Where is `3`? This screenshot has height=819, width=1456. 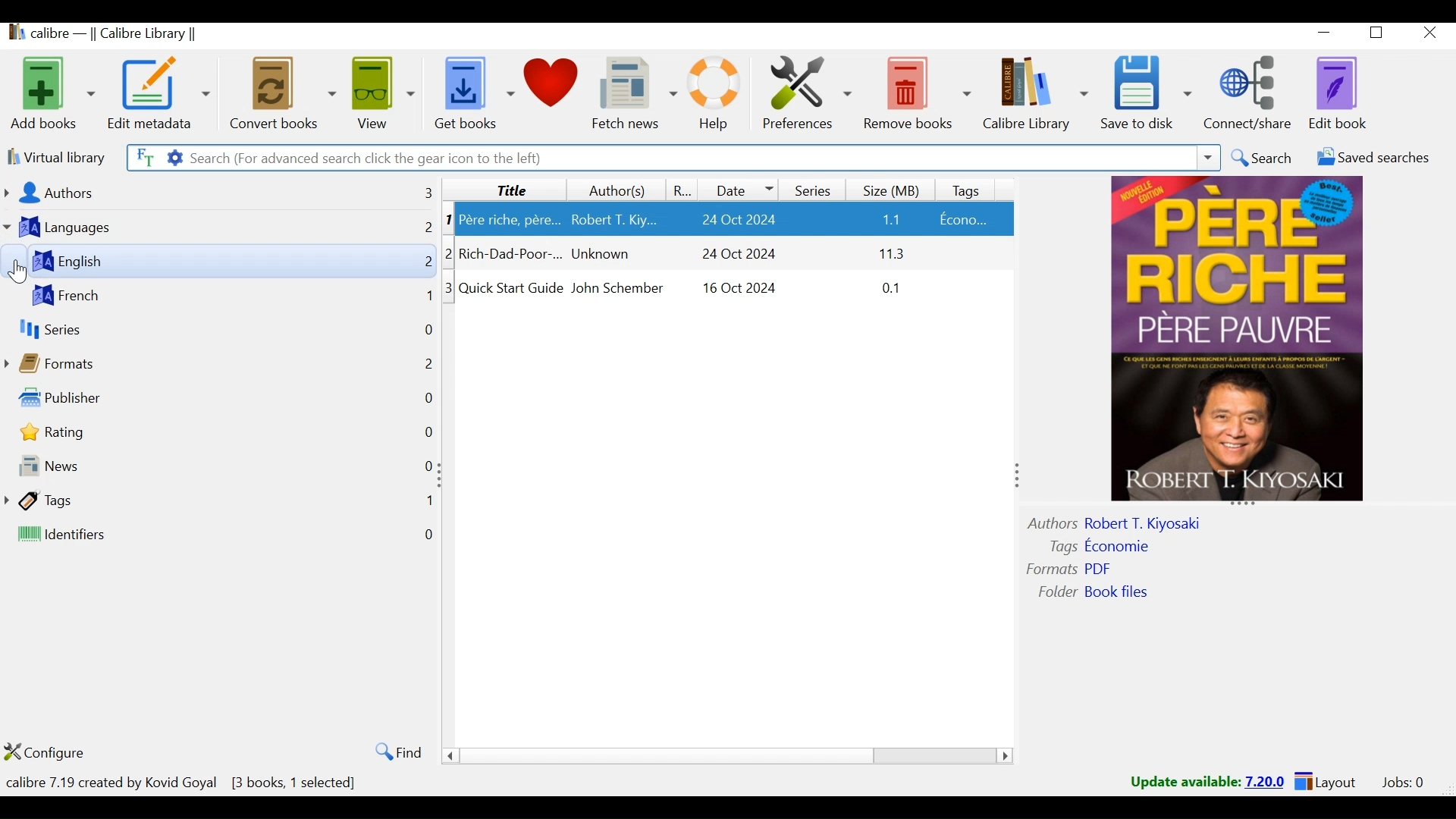 3 is located at coordinates (447, 288).